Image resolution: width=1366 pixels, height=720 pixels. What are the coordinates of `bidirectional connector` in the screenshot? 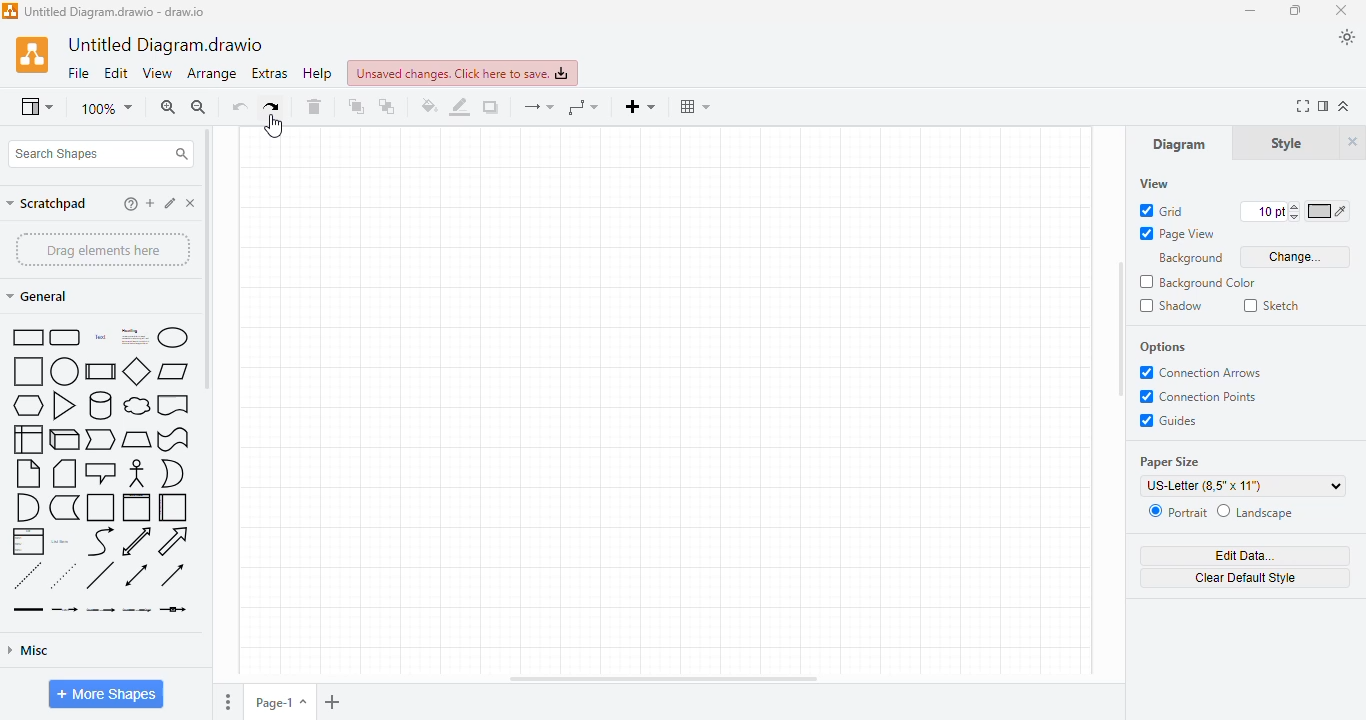 It's located at (136, 575).